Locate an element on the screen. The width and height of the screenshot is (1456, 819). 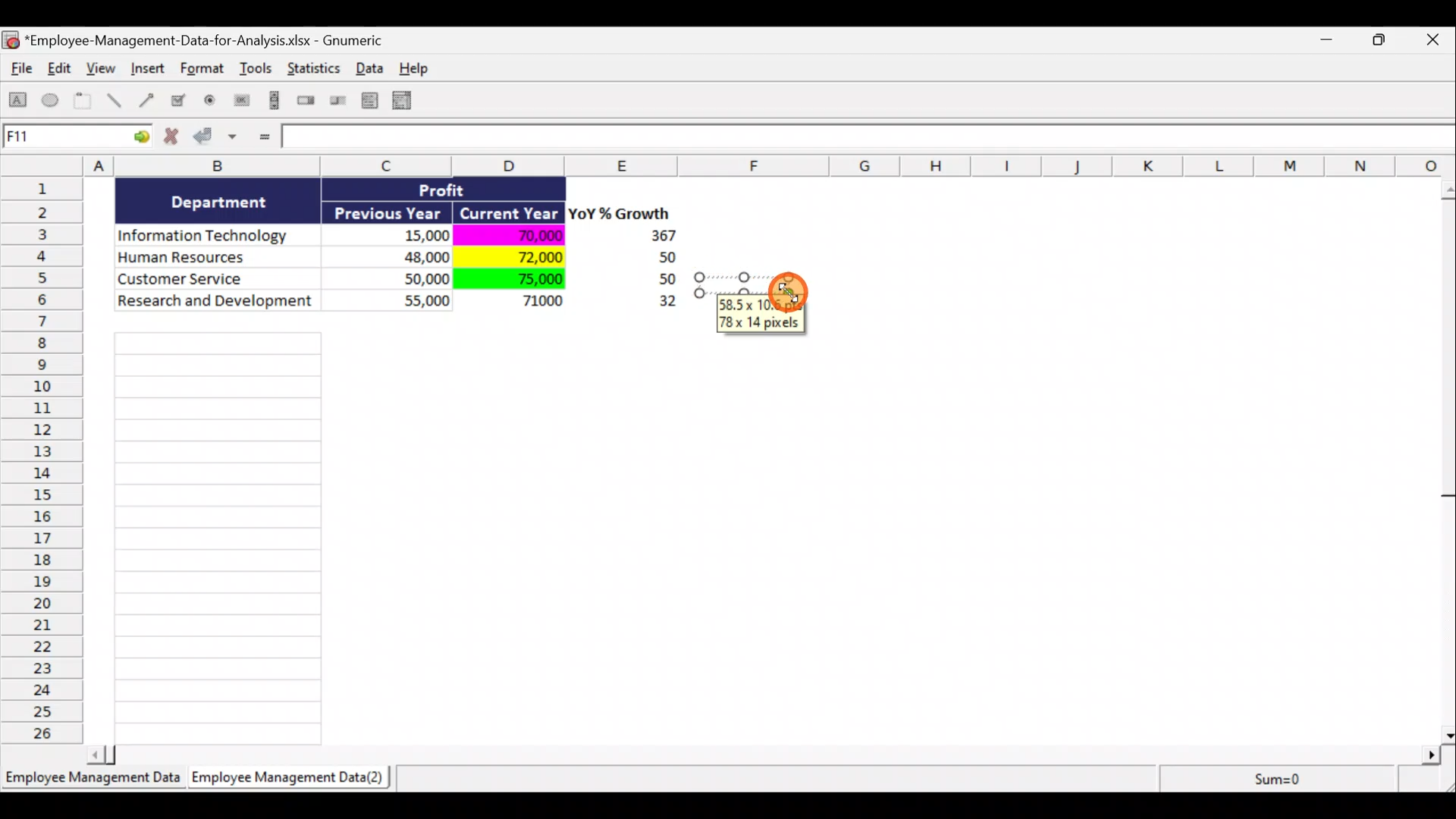
Create a combo box is located at coordinates (409, 101).